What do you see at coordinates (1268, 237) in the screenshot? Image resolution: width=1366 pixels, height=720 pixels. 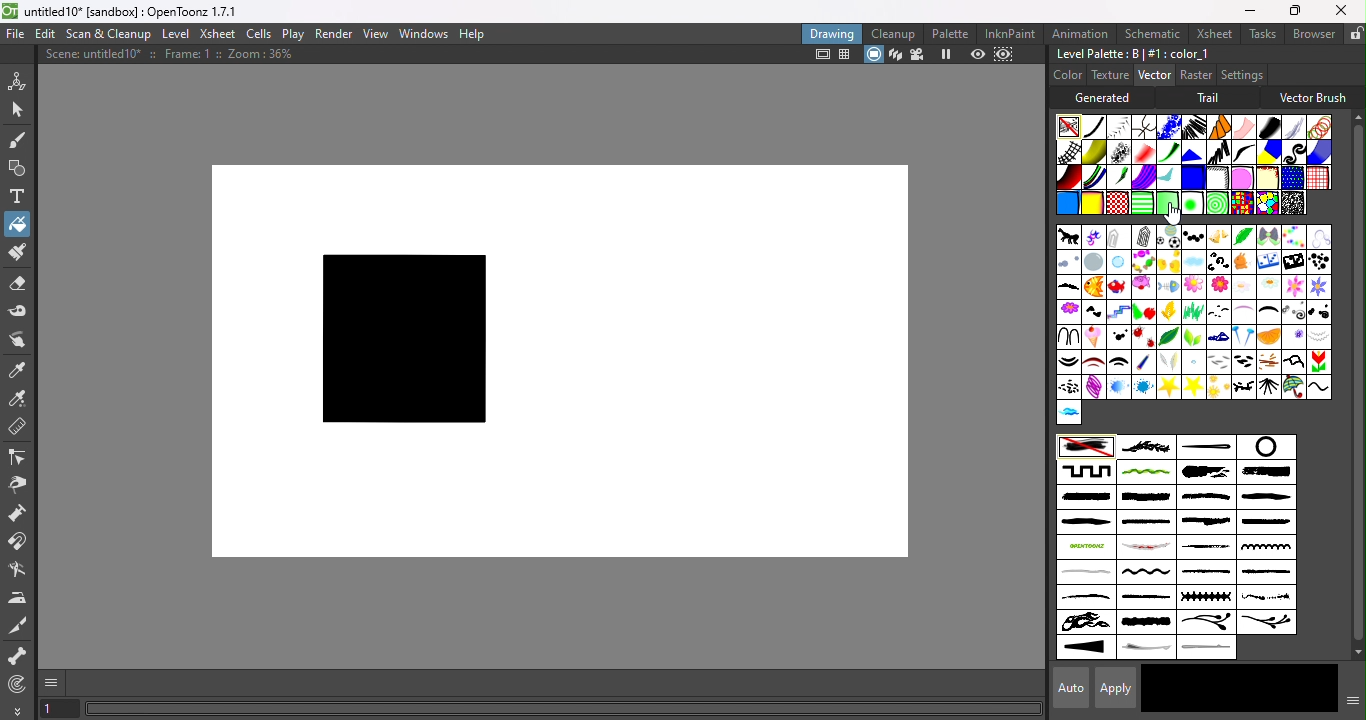 I see `Bow` at bounding box center [1268, 237].